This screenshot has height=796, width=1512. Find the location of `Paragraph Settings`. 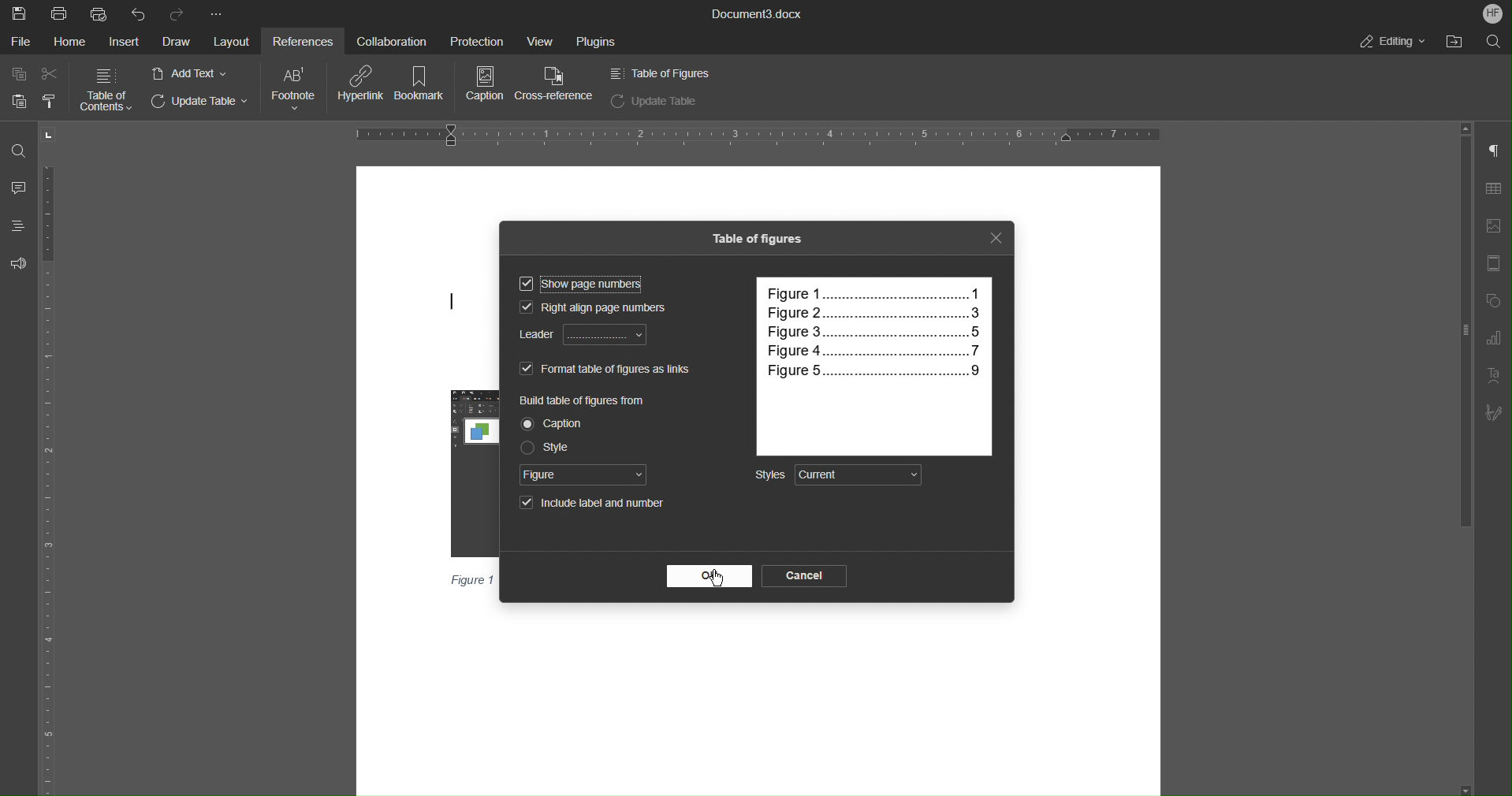

Paragraph Settings is located at coordinates (1494, 153).